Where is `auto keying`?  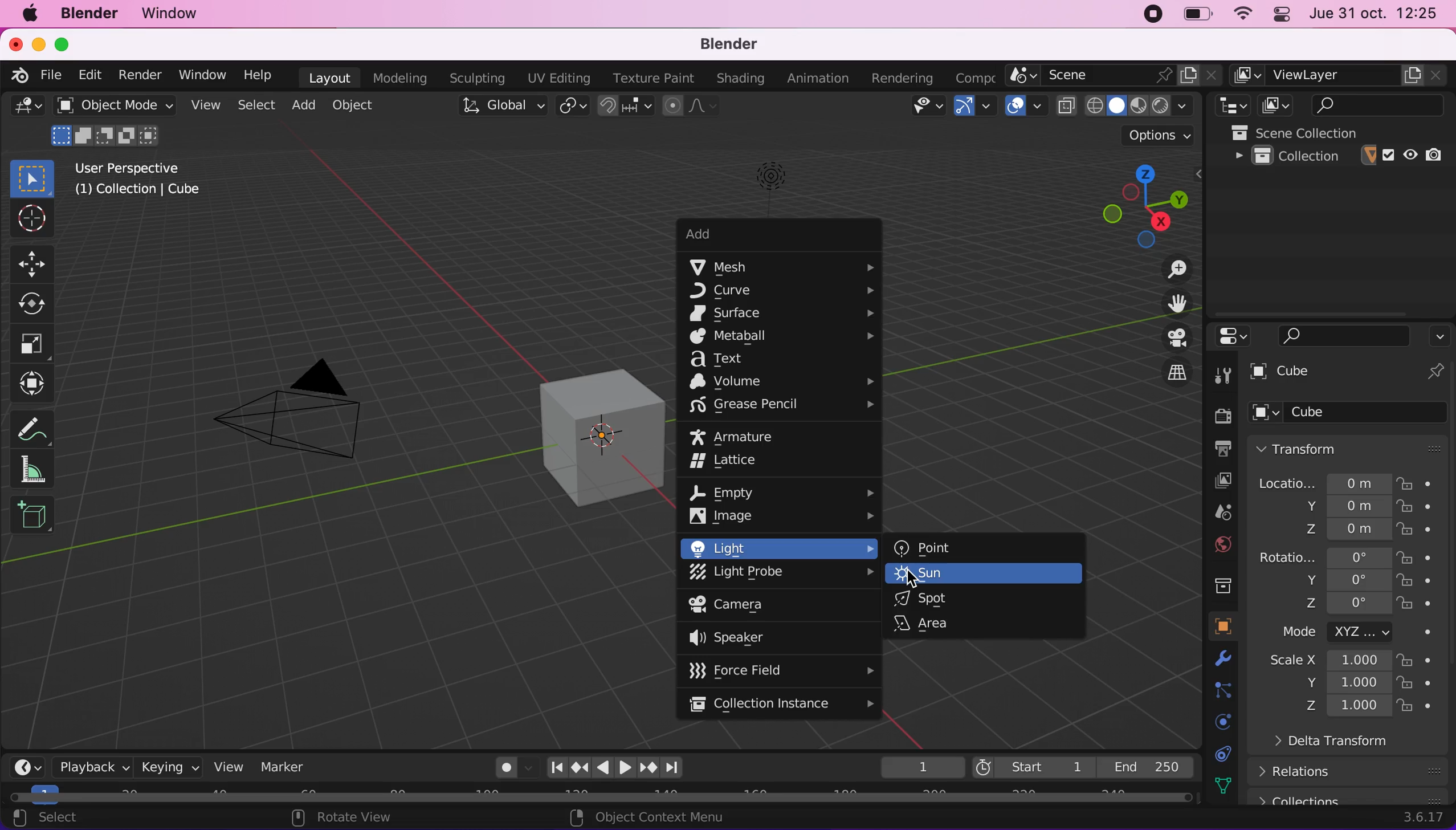 auto keying is located at coordinates (503, 767).